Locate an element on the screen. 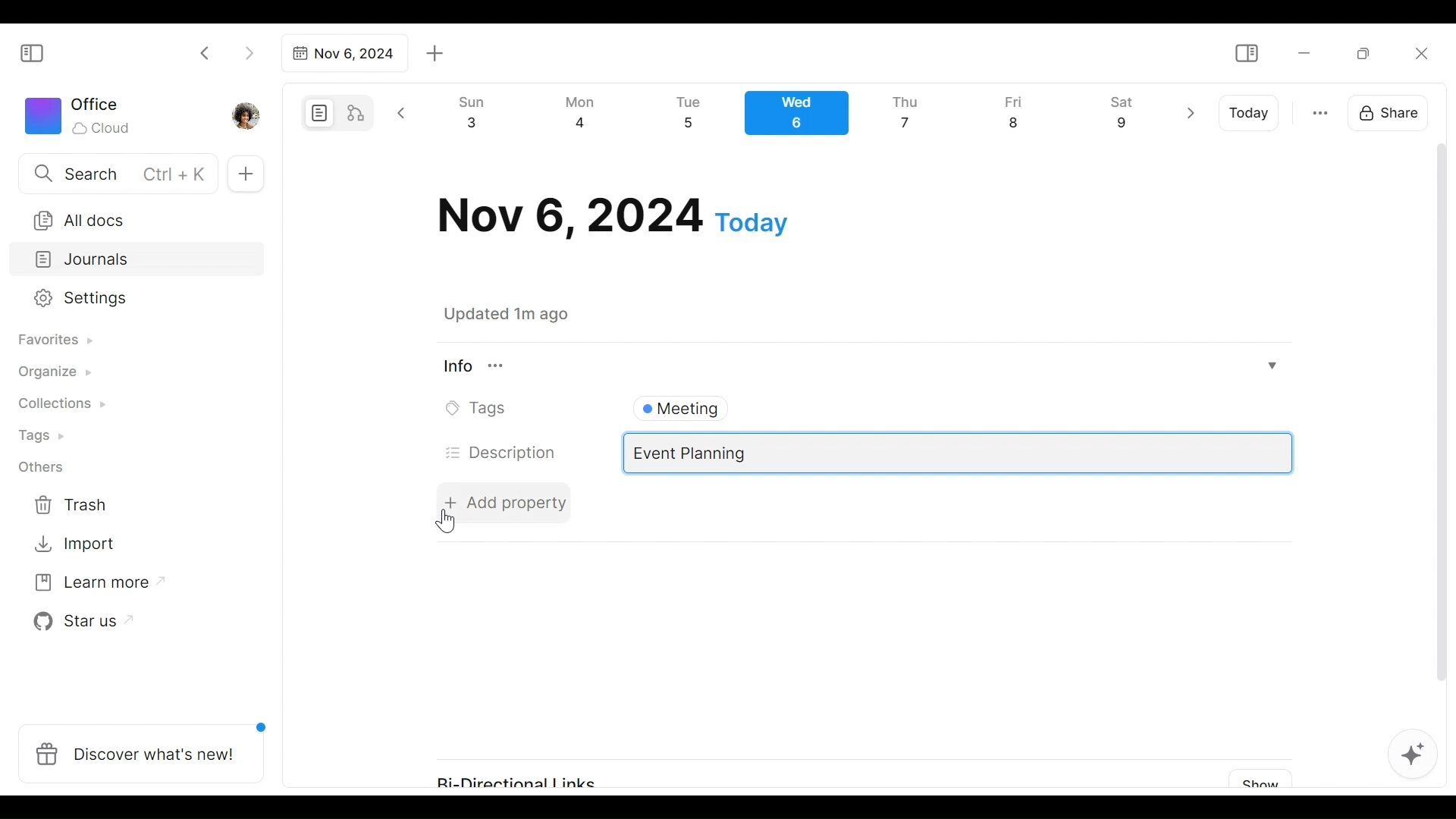 The width and height of the screenshot is (1456, 819). Description is located at coordinates (502, 453).